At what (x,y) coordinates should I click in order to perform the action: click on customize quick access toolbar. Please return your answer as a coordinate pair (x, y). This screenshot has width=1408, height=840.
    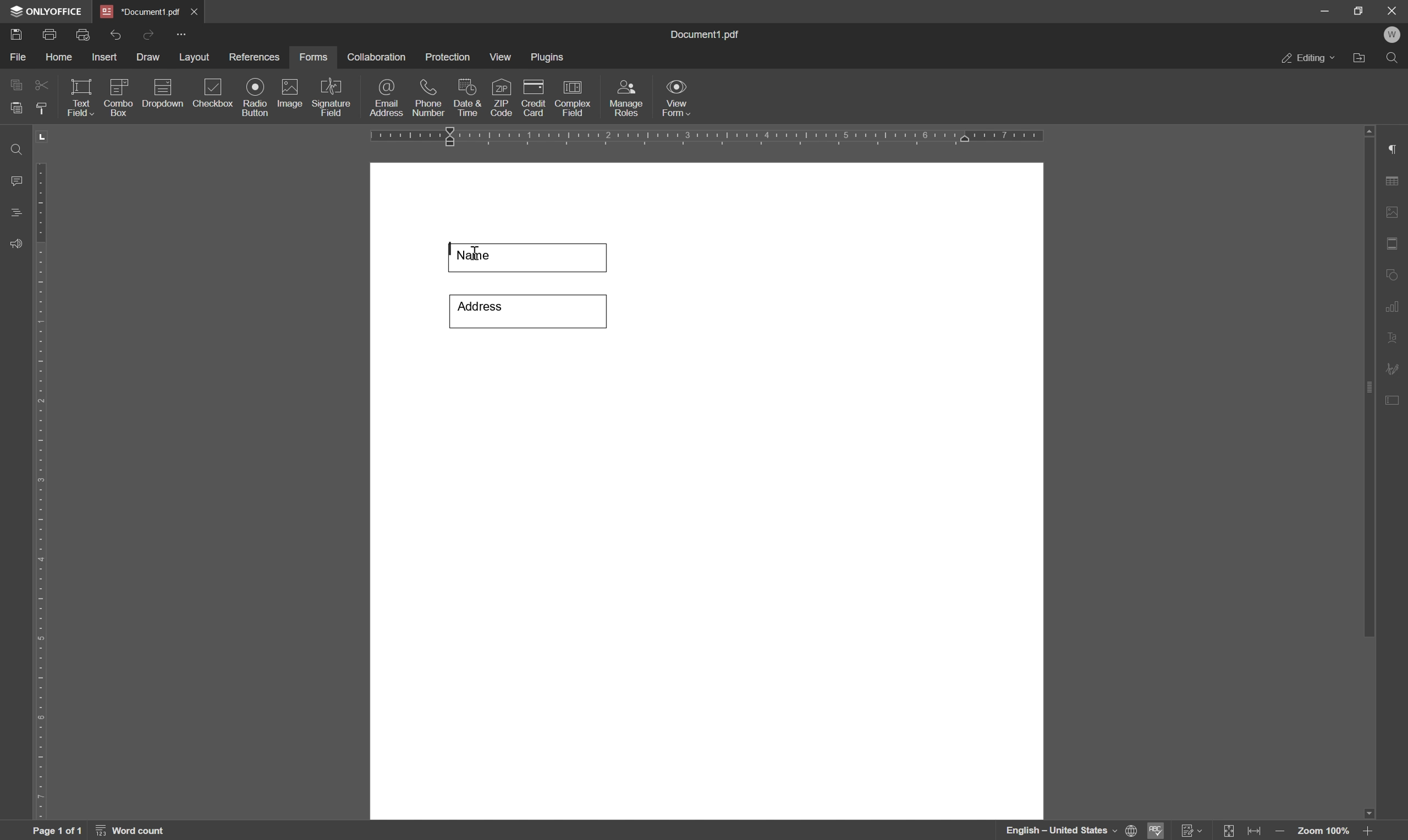
    Looking at the image, I should click on (183, 34).